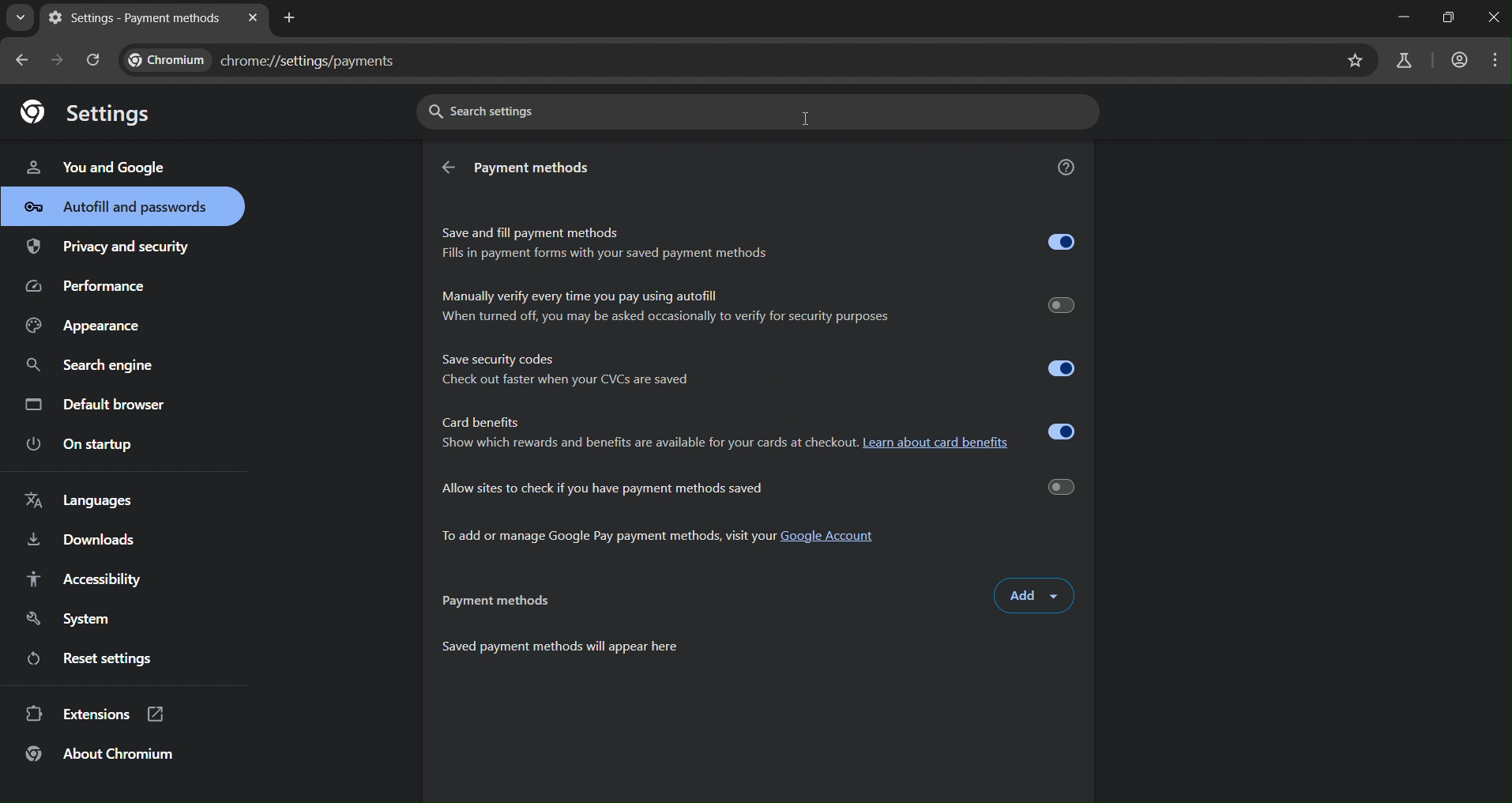 The image size is (1512, 803). What do you see at coordinates (1497, 61) in the screenshot?
I see `menu` at bounding box center [1497, 61].